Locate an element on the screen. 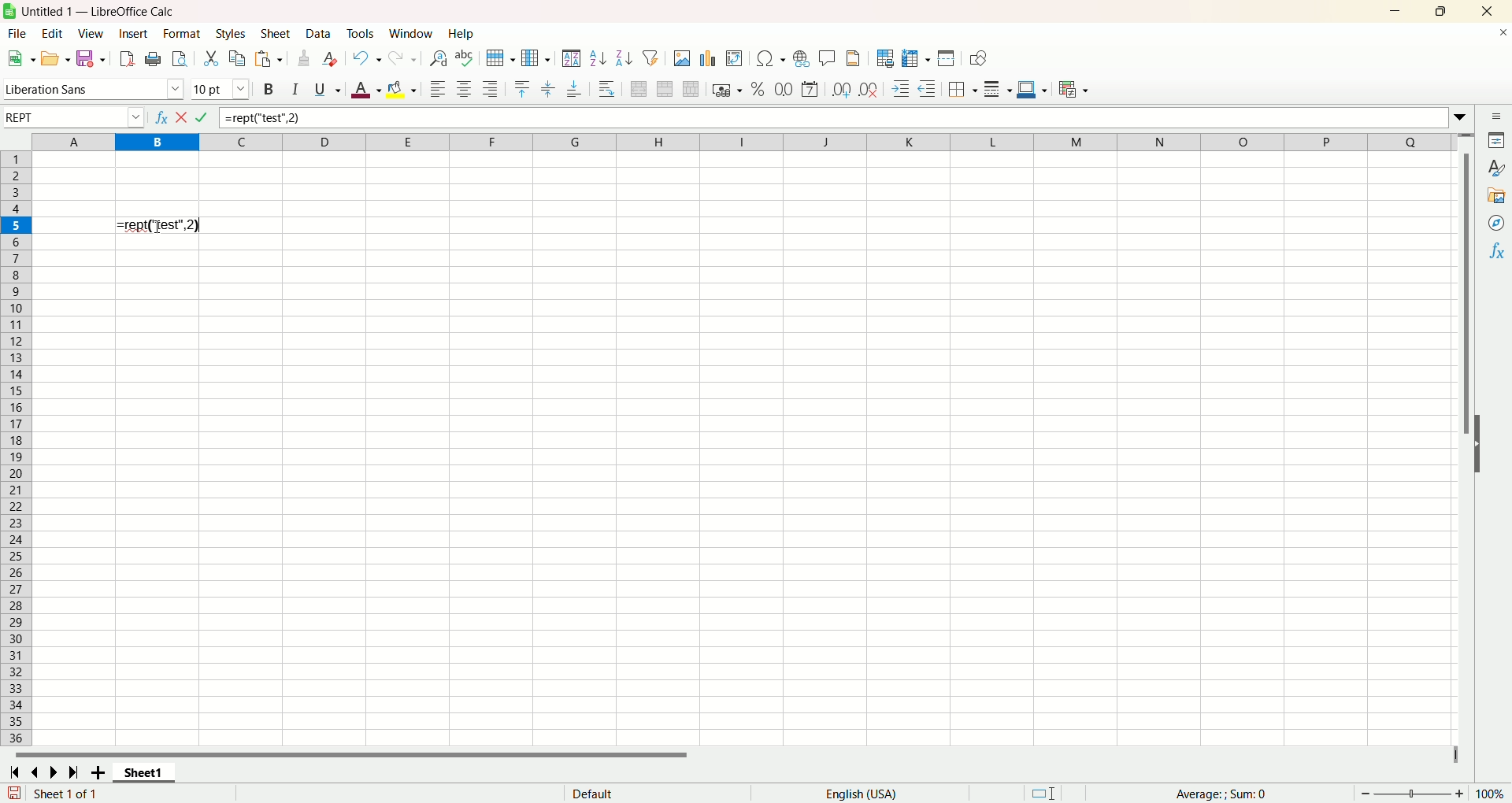 This screenshot has width=1512, height=803. format as currency is located at coordinates (726, 91).